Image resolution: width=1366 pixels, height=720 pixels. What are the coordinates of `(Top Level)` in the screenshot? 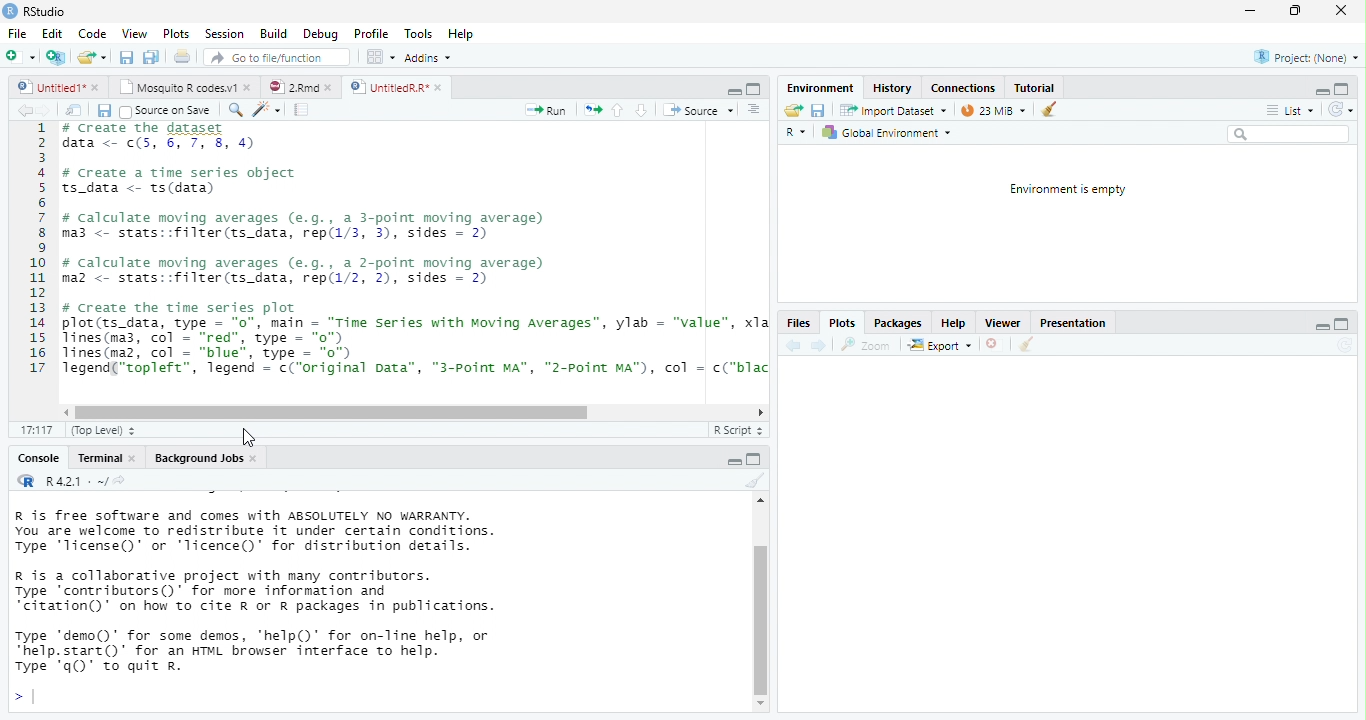 It's located at (98, 431).